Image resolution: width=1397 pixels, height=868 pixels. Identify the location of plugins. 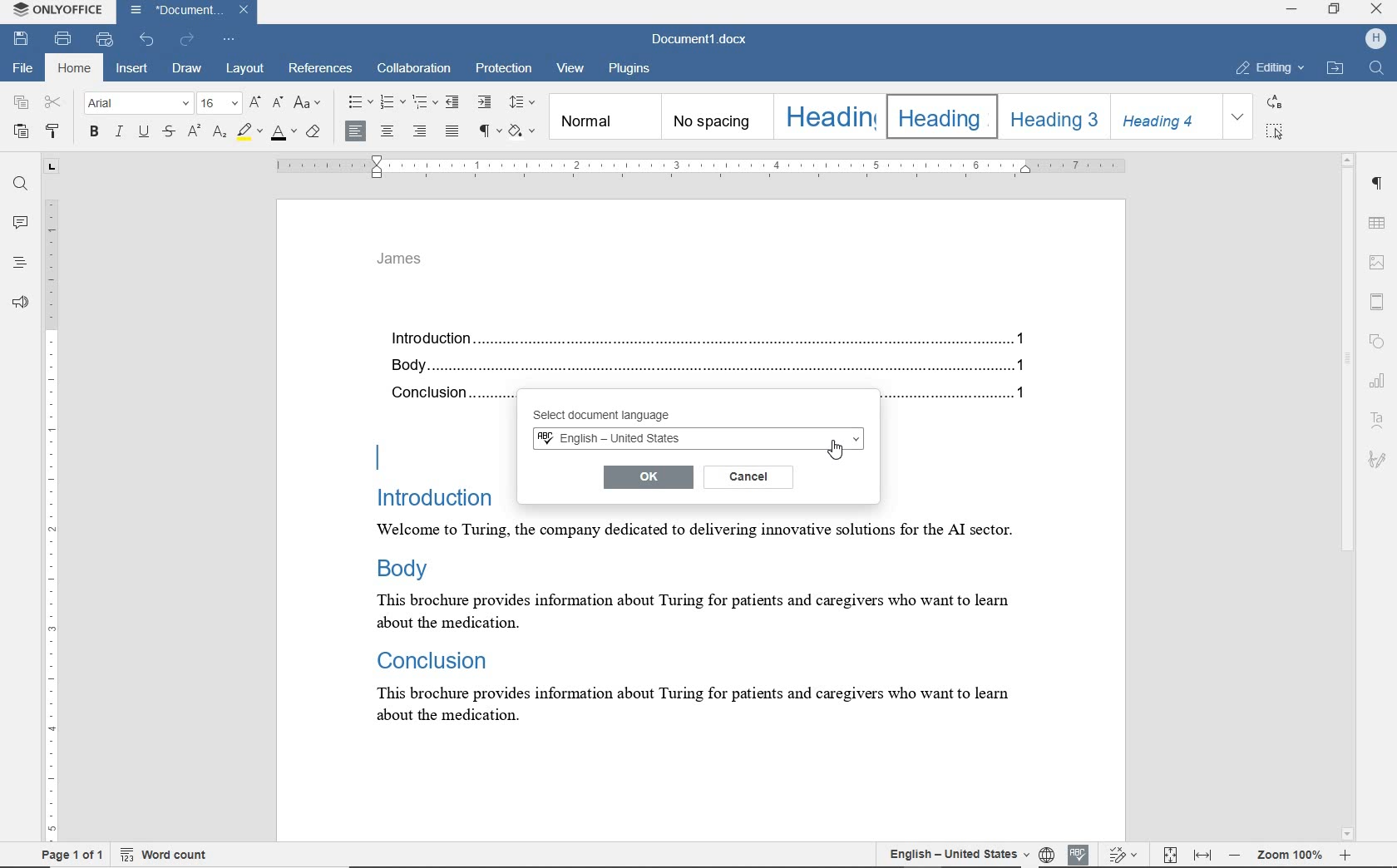
(629, 69).